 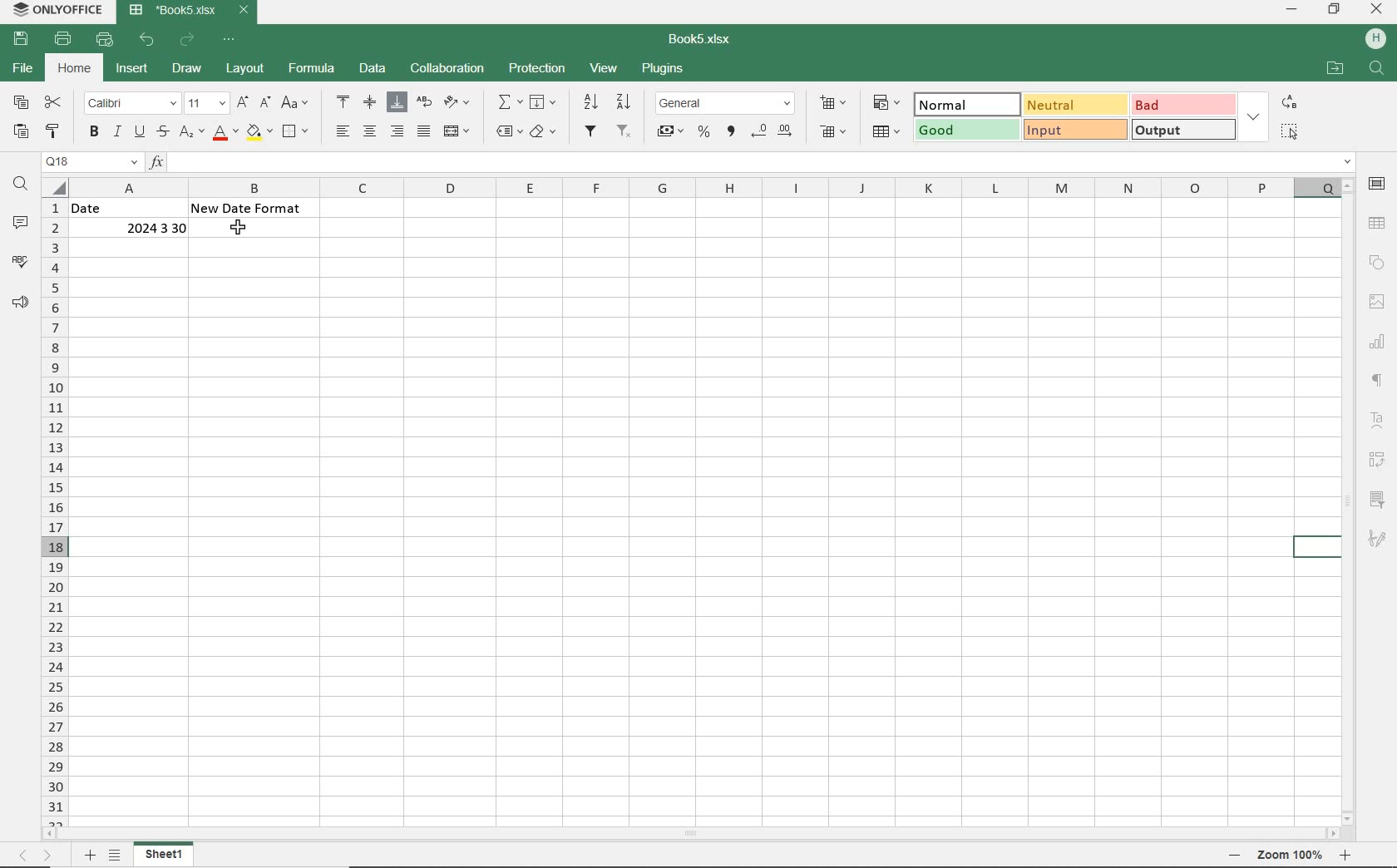 I want to click on SAVE, so click(x=22, y=38).